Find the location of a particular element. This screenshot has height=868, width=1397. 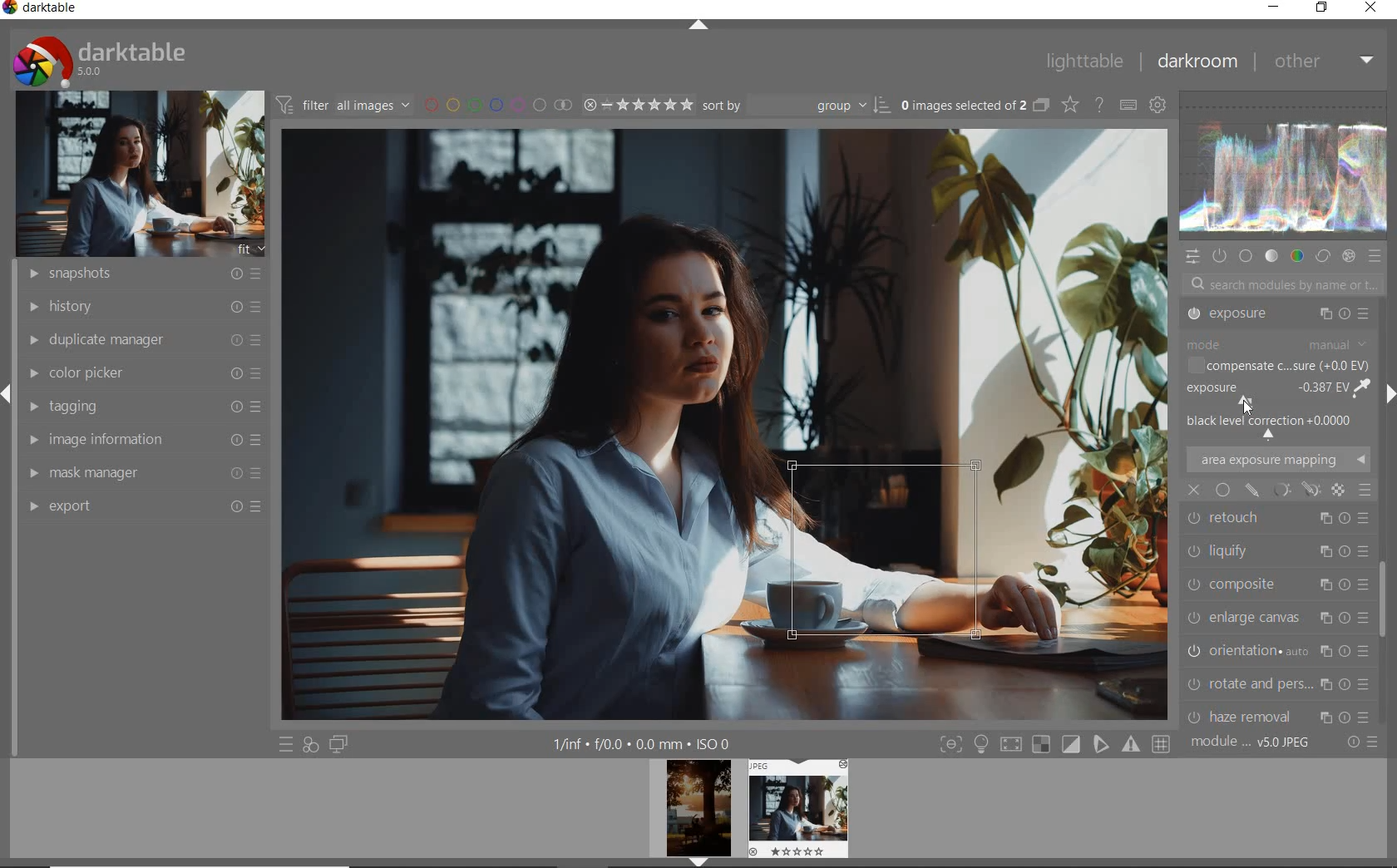

TOGGLE MODE is located at coordinates (1054, 744).